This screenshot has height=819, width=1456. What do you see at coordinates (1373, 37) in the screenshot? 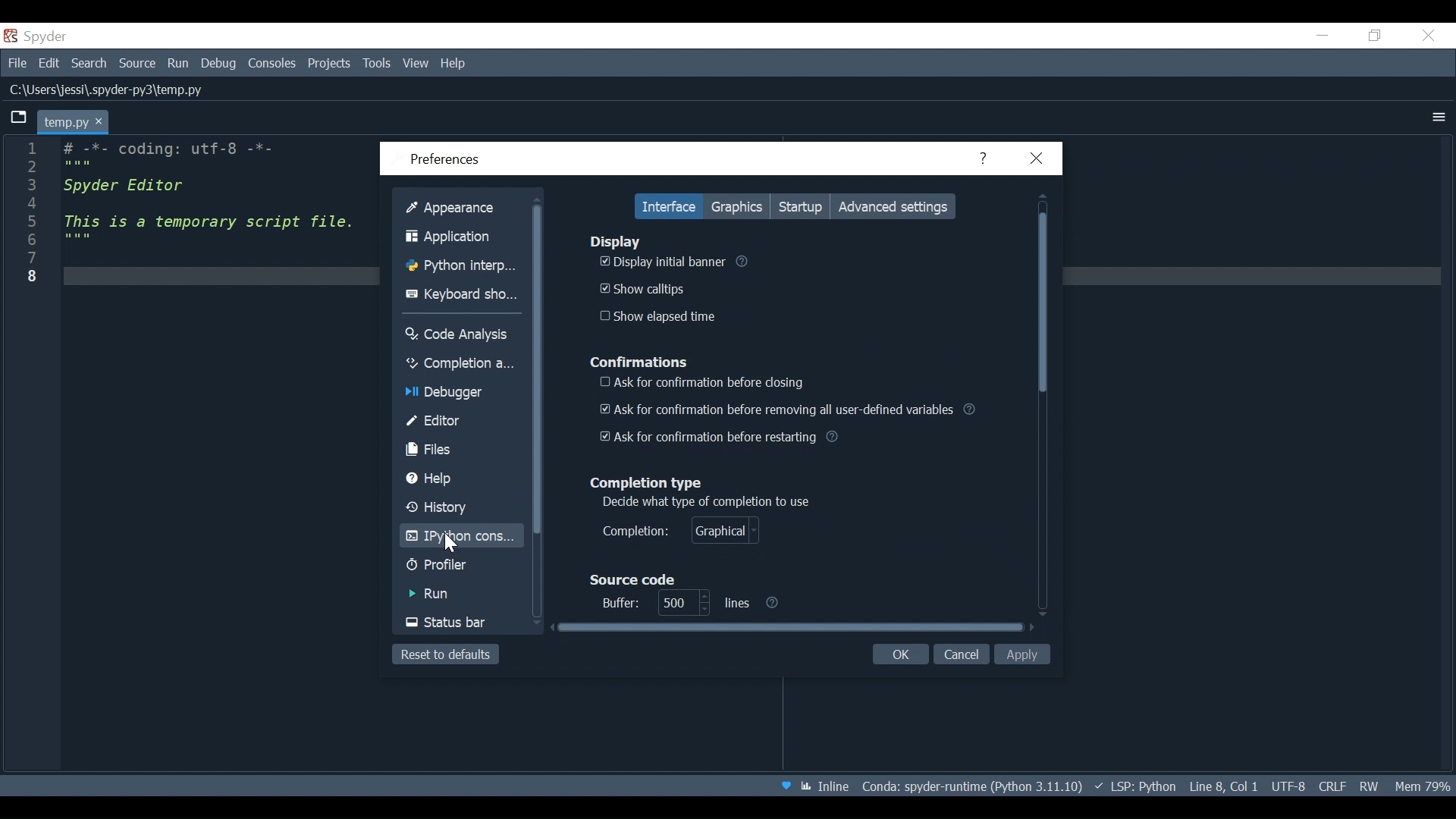
I see `` at bounding box center [1373, 37].